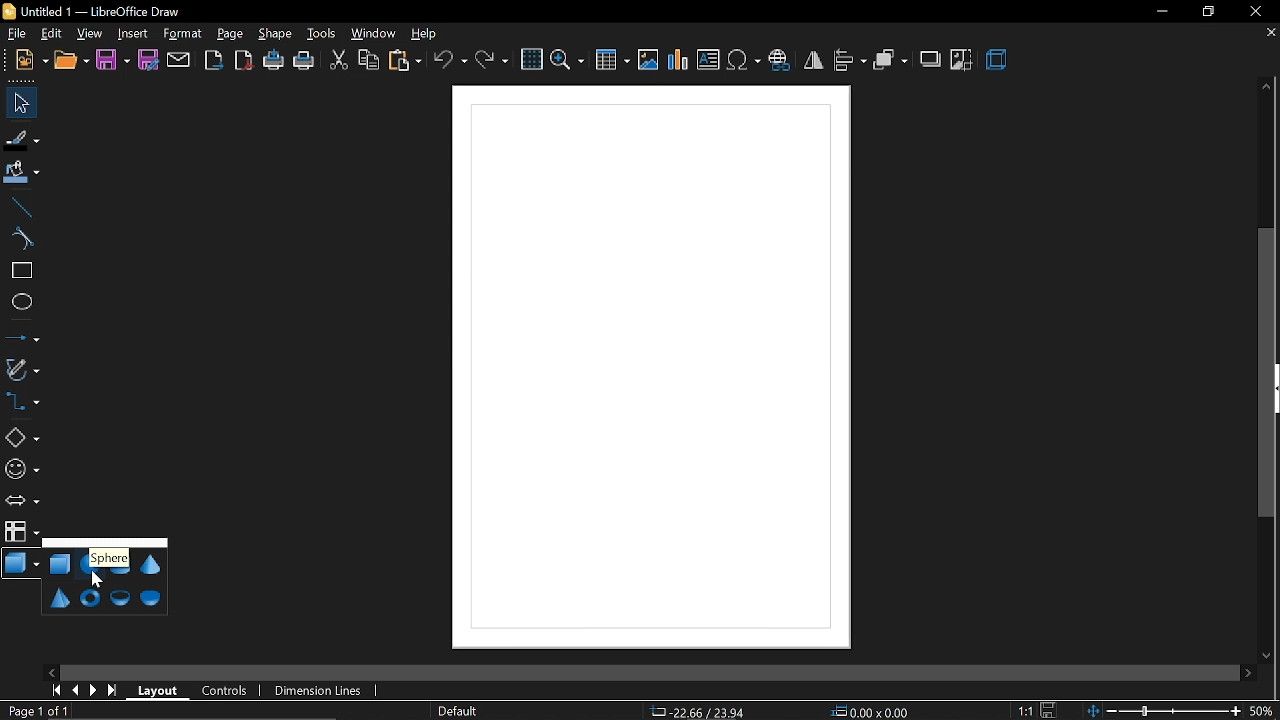 The image size is (1280, 720). Describe the element at coordinates (305, 61) in the screenshot. I see `print` at that location.